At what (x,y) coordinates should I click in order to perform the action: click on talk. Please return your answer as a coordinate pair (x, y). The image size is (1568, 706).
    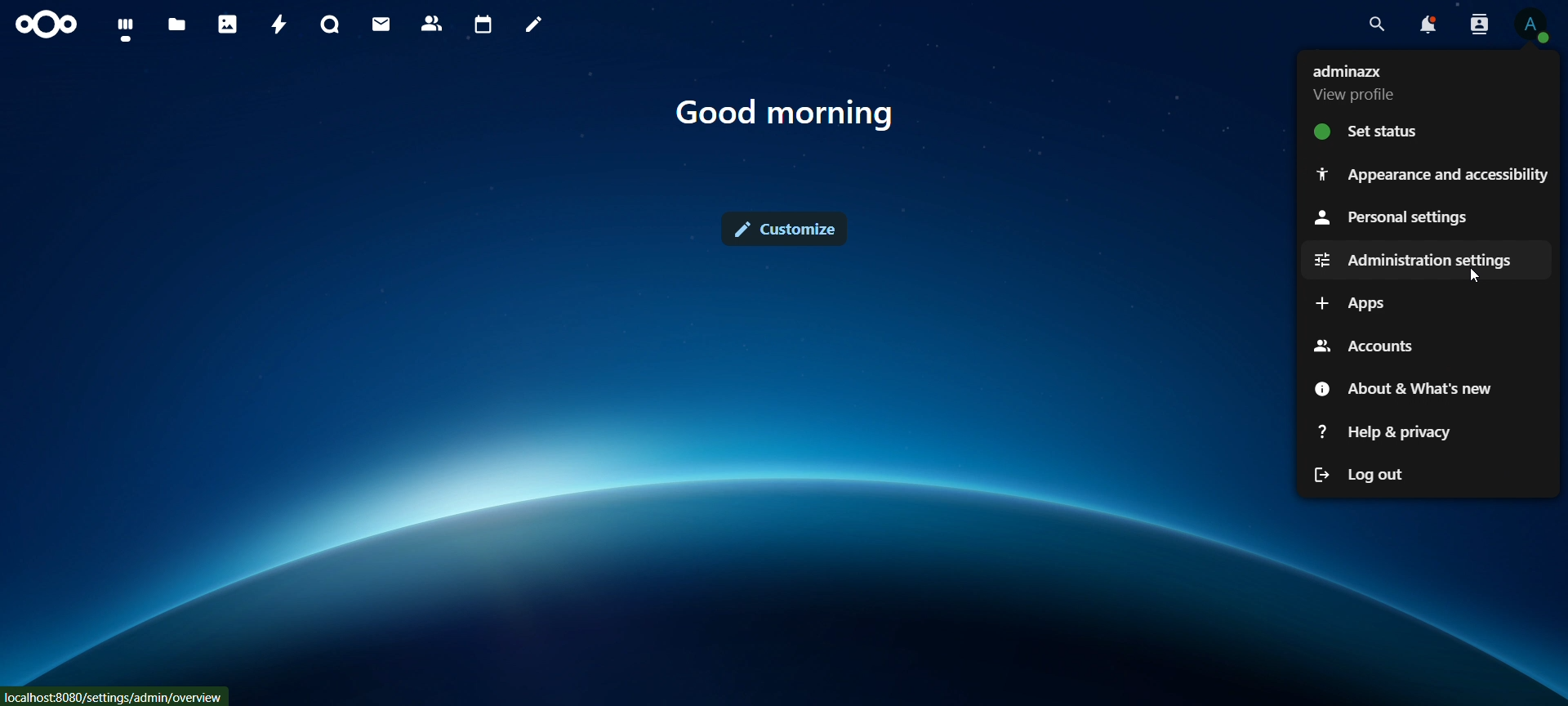
    Looking at the image, I should click on (330, 25).